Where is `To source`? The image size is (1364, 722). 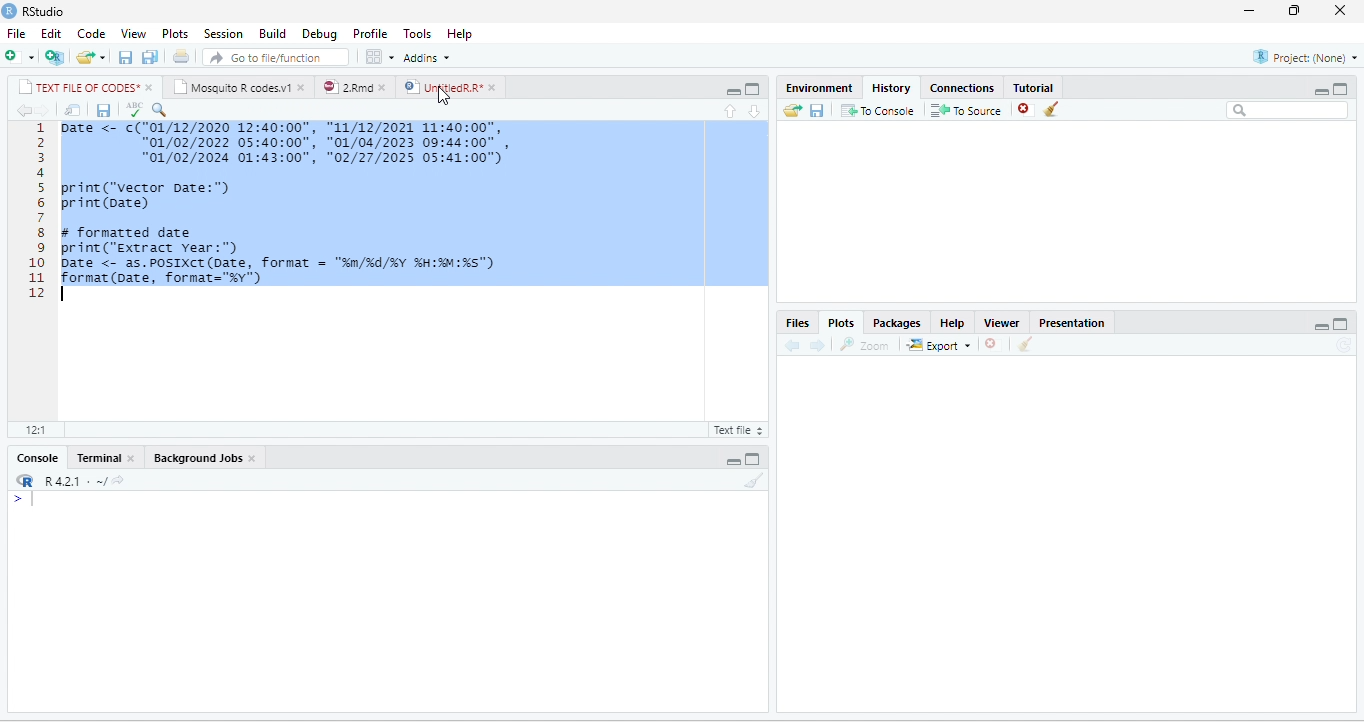
To source is located at coordinates (964, 109).